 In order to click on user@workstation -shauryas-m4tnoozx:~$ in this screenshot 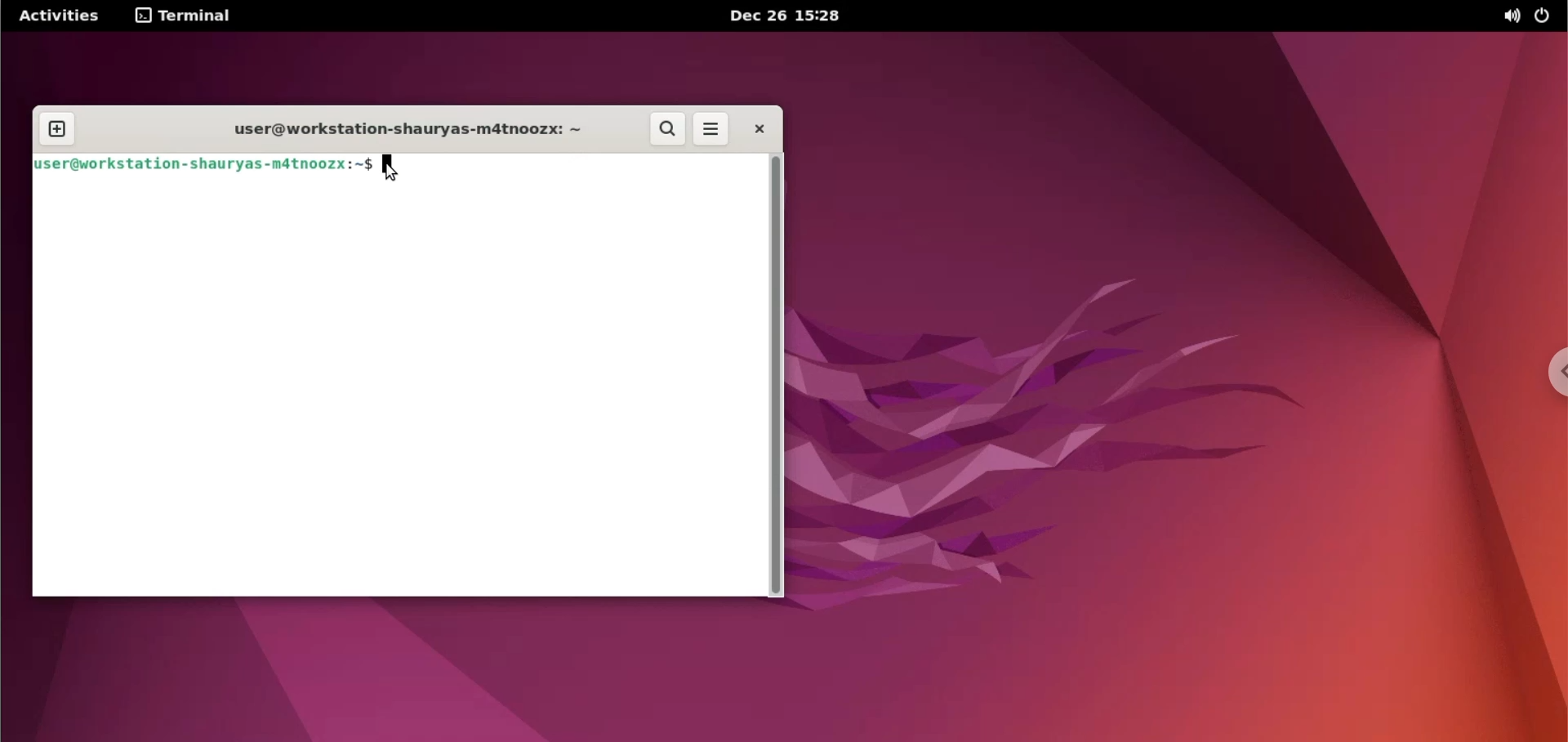, I will do `click(202, 163)`.